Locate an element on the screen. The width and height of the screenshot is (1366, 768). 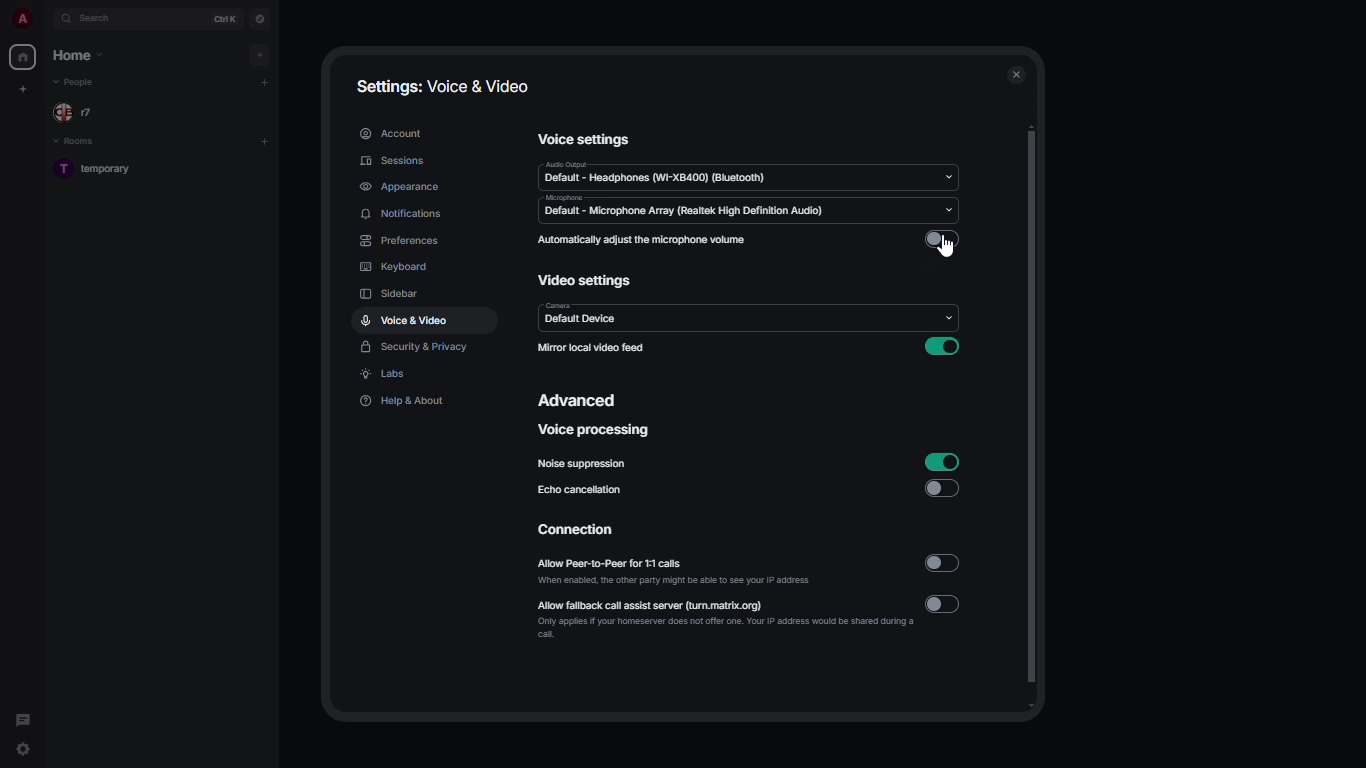
security & privacy is located at coordinates (416, 348).